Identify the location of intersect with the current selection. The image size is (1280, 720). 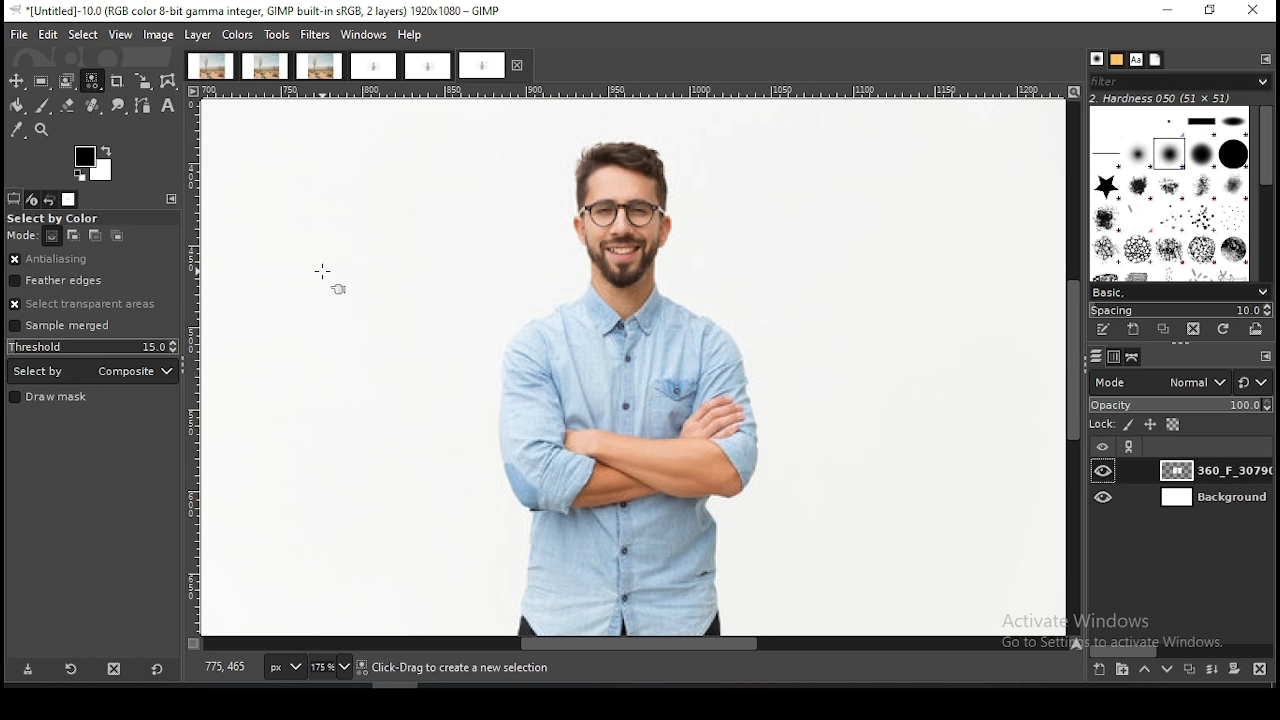
(115, 237).